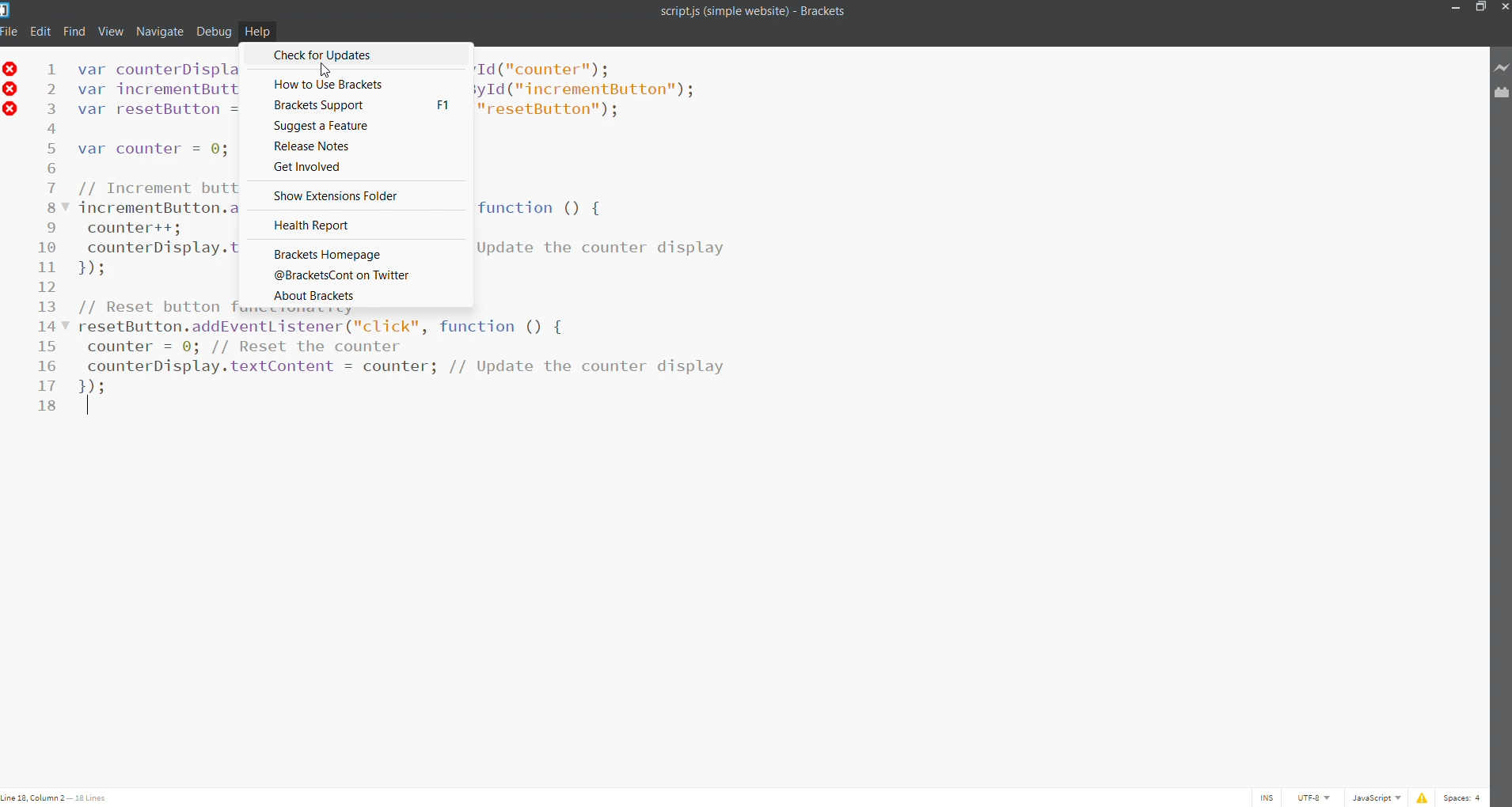  I want to click on release notes, so click(358, 144).